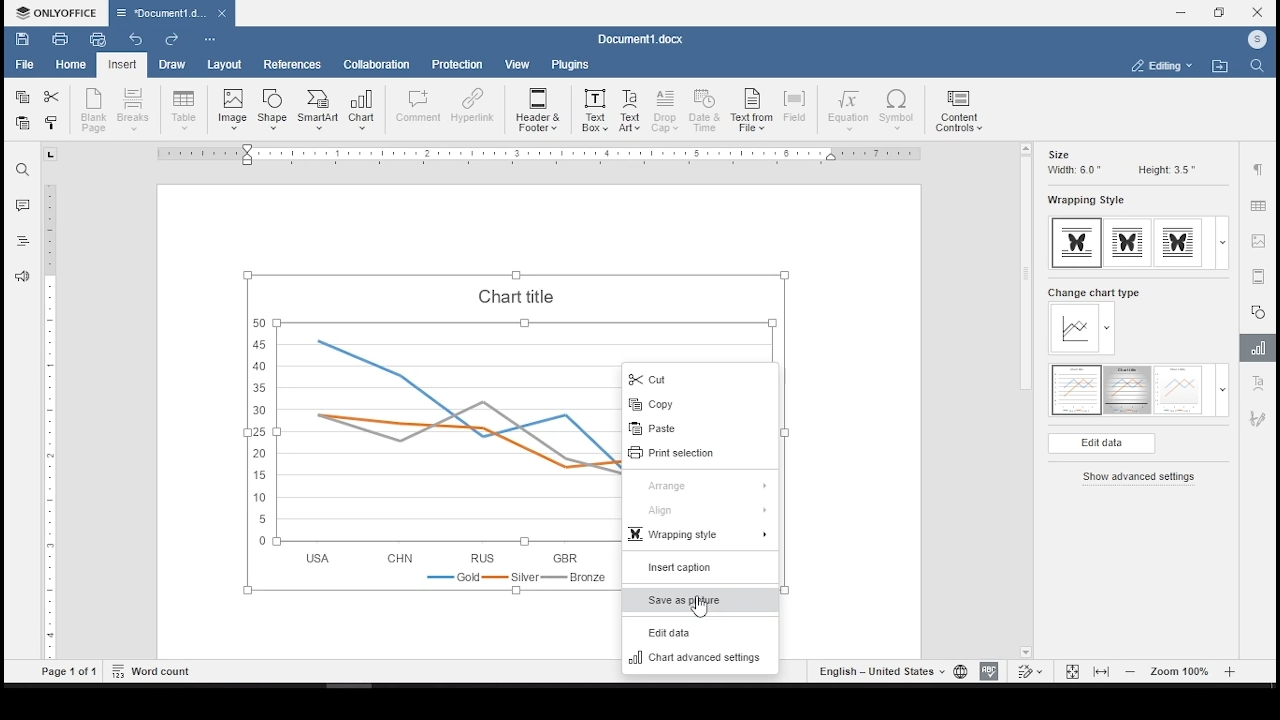 Image resolution: width=1280 pixels, height=720 pixels. Describe the element at coordinates (1259, 243) in the screenshot. I see `image settings` at that location.